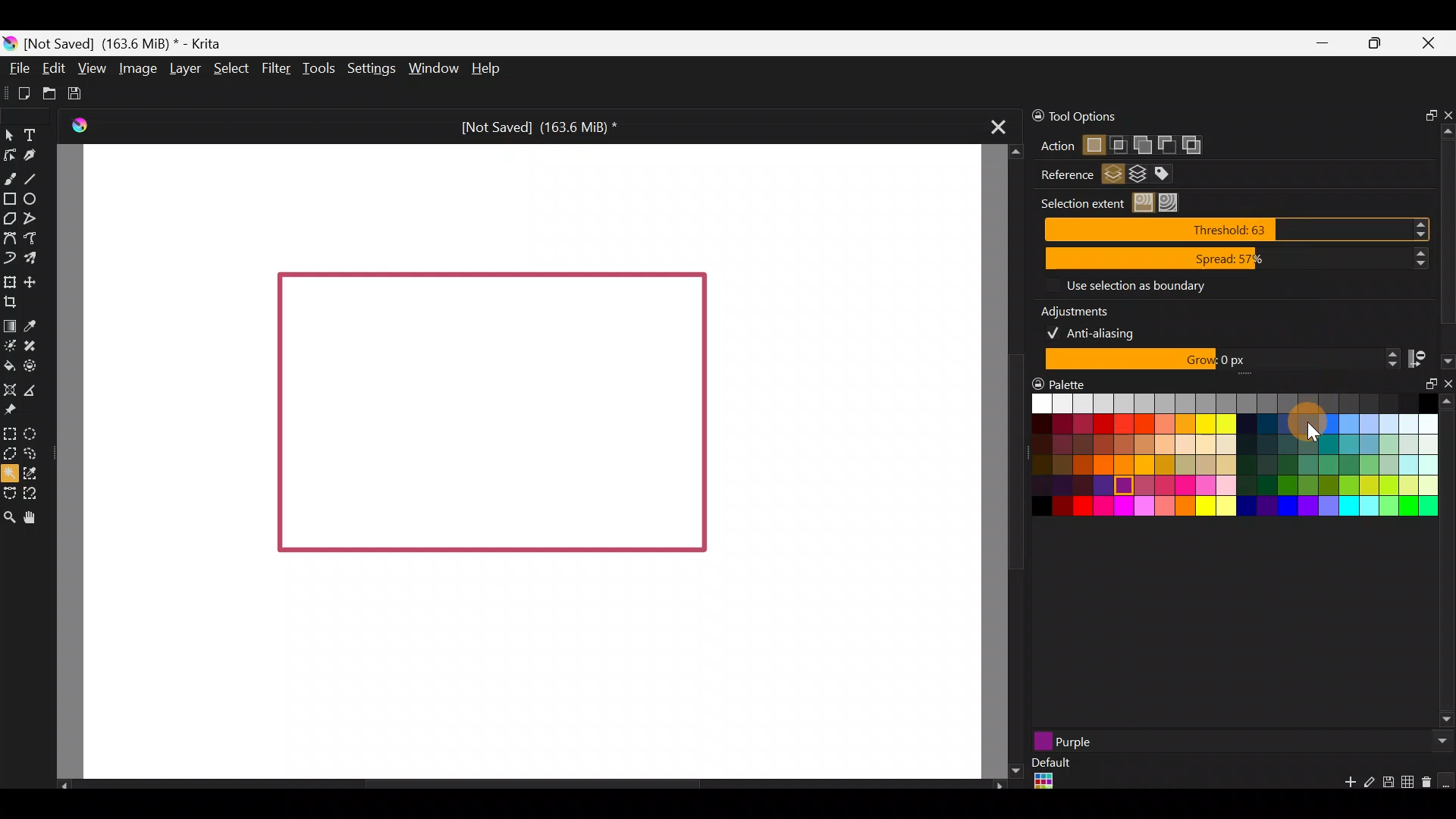 This screenshot has width=1456, height=819. I want to click on [Not Saved] (163.6 MiB) * - Krita, so click(132, 44).